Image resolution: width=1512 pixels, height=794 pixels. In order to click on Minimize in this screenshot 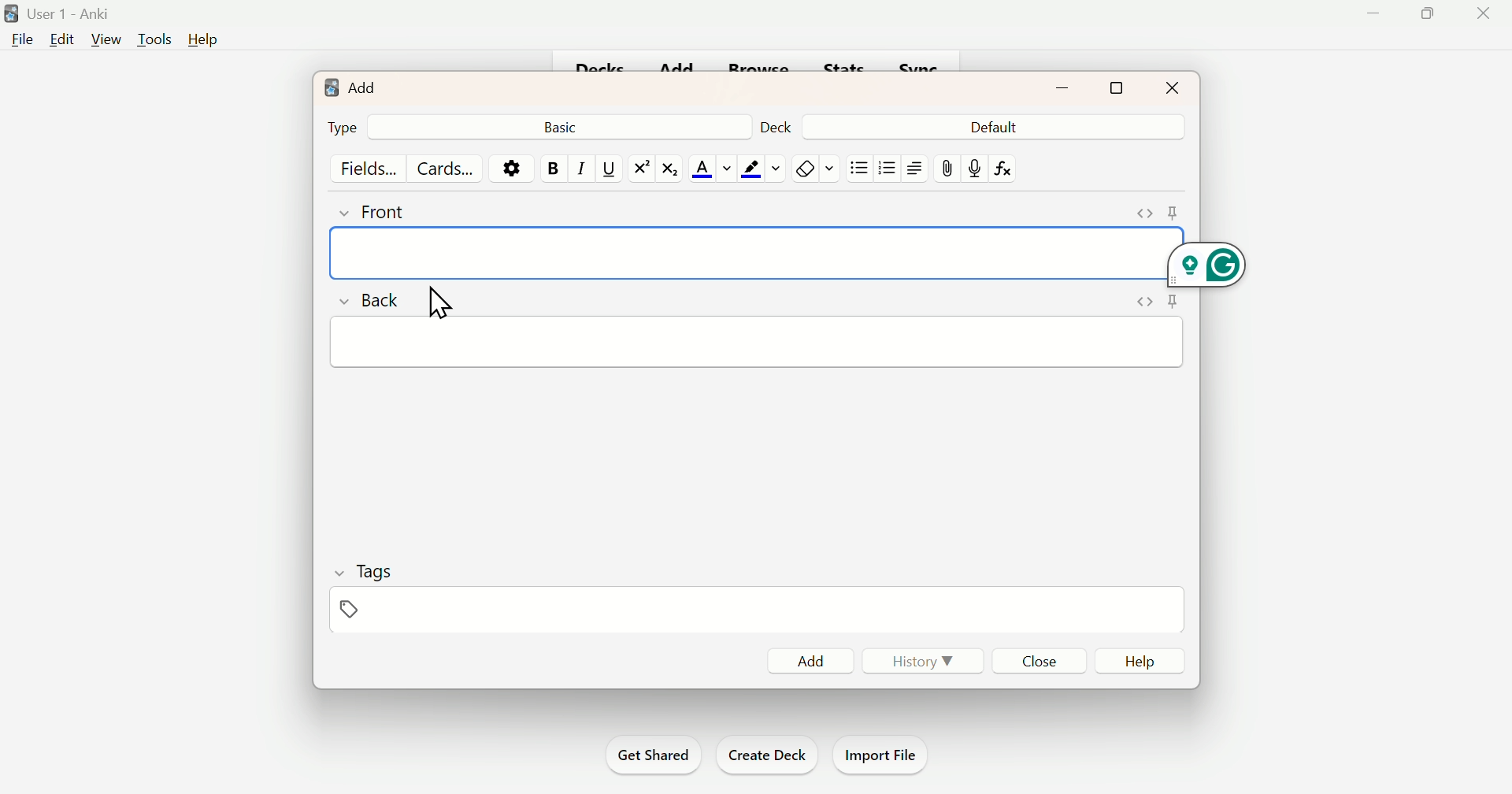, I will do `click(1374, 17)`.